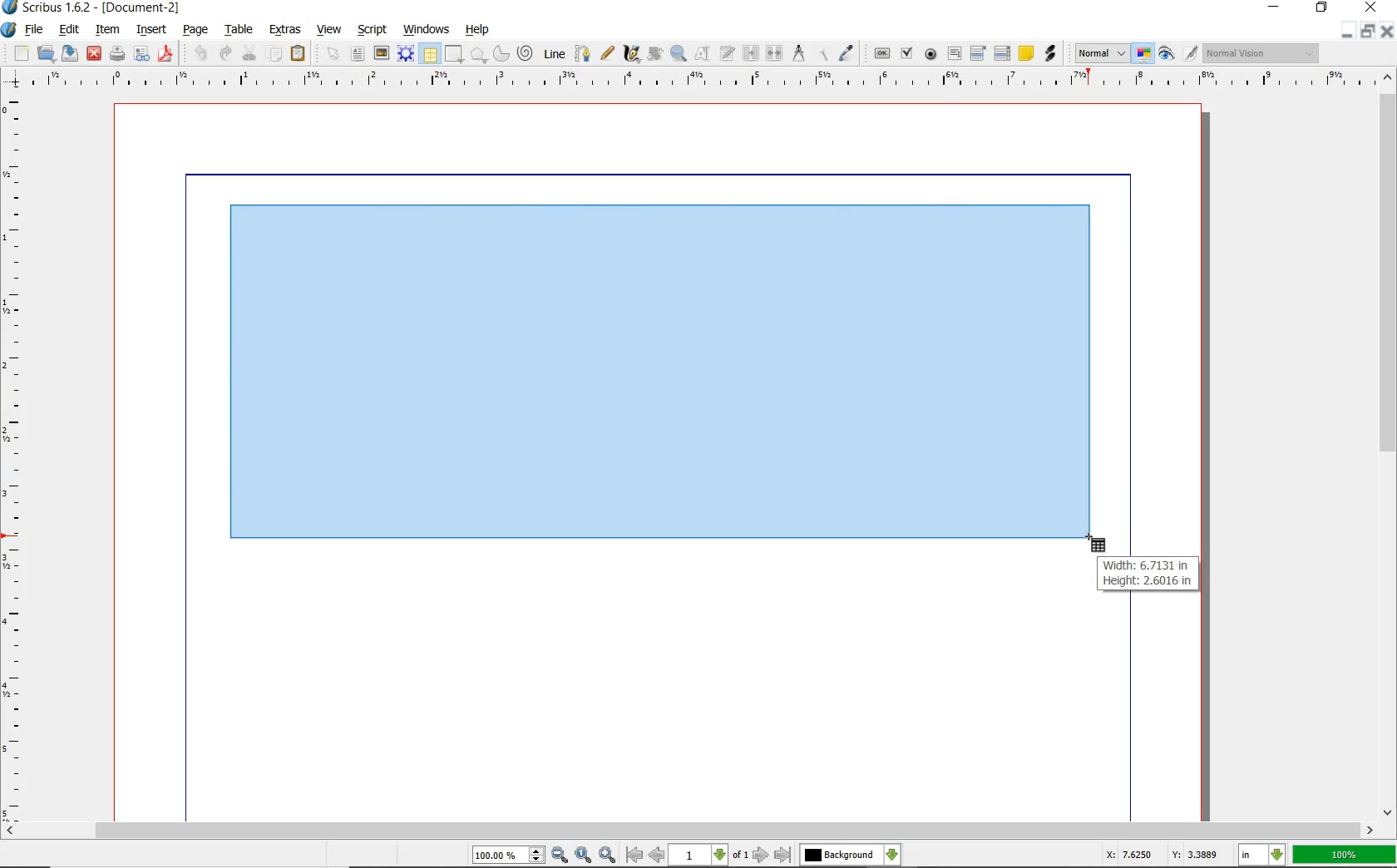  Describe the element at coordinates (1163, 855) in the screenshot. I see `X: 7.6250 Y: 3.3889` at that location.